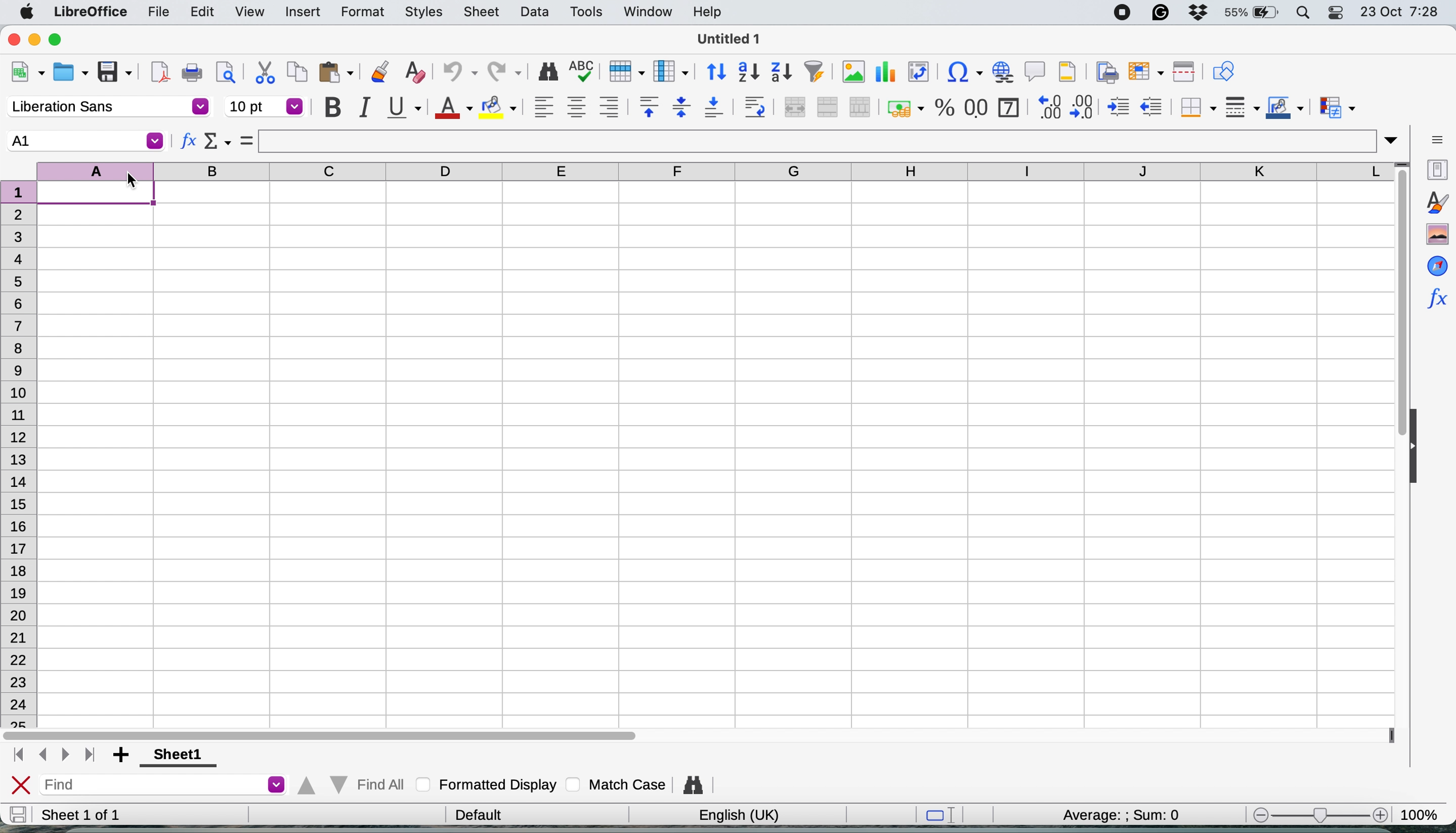  I want to click on merge, so click(827, 107).